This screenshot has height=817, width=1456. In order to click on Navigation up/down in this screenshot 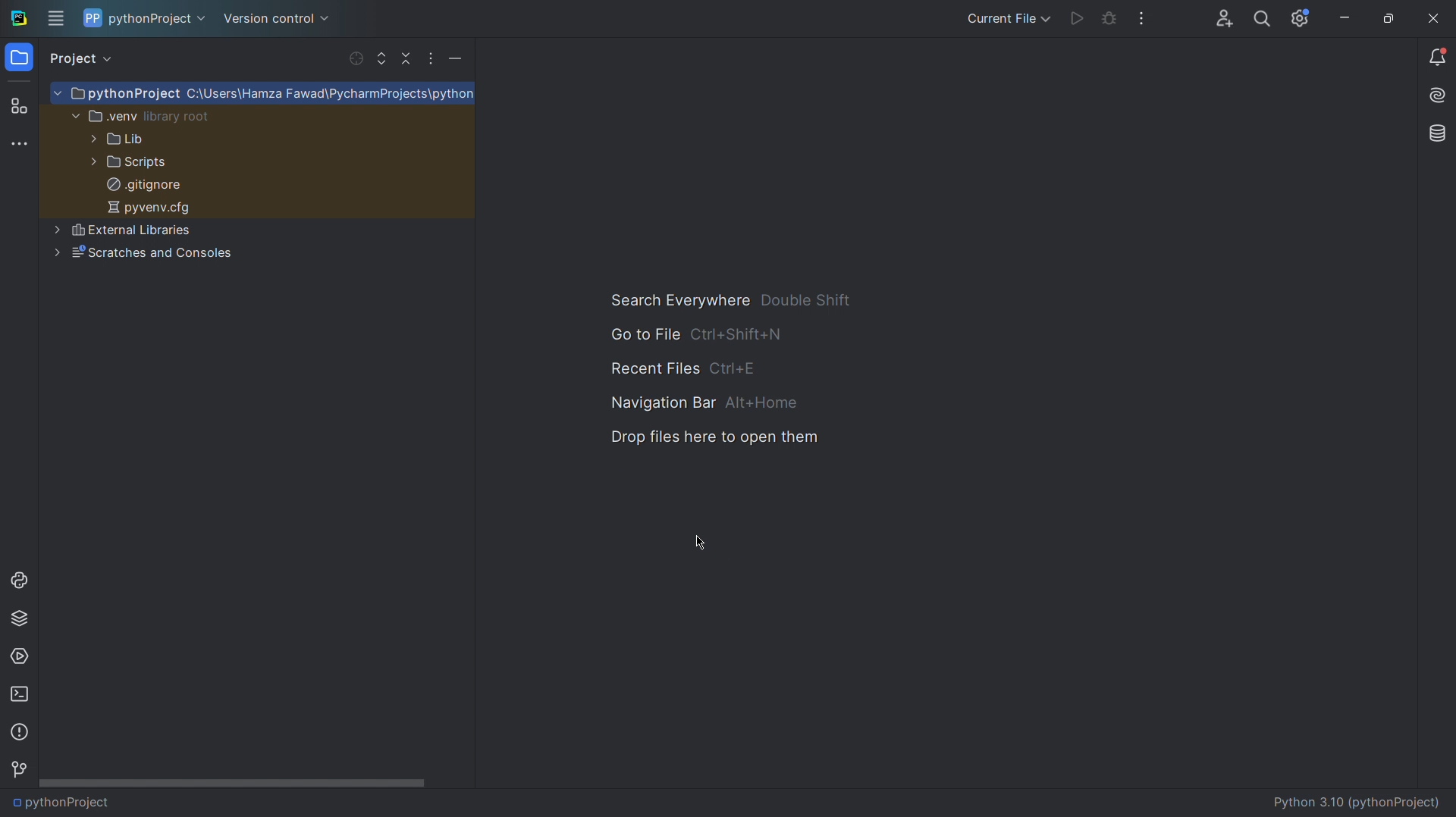, I will do `click(381, 58)`.